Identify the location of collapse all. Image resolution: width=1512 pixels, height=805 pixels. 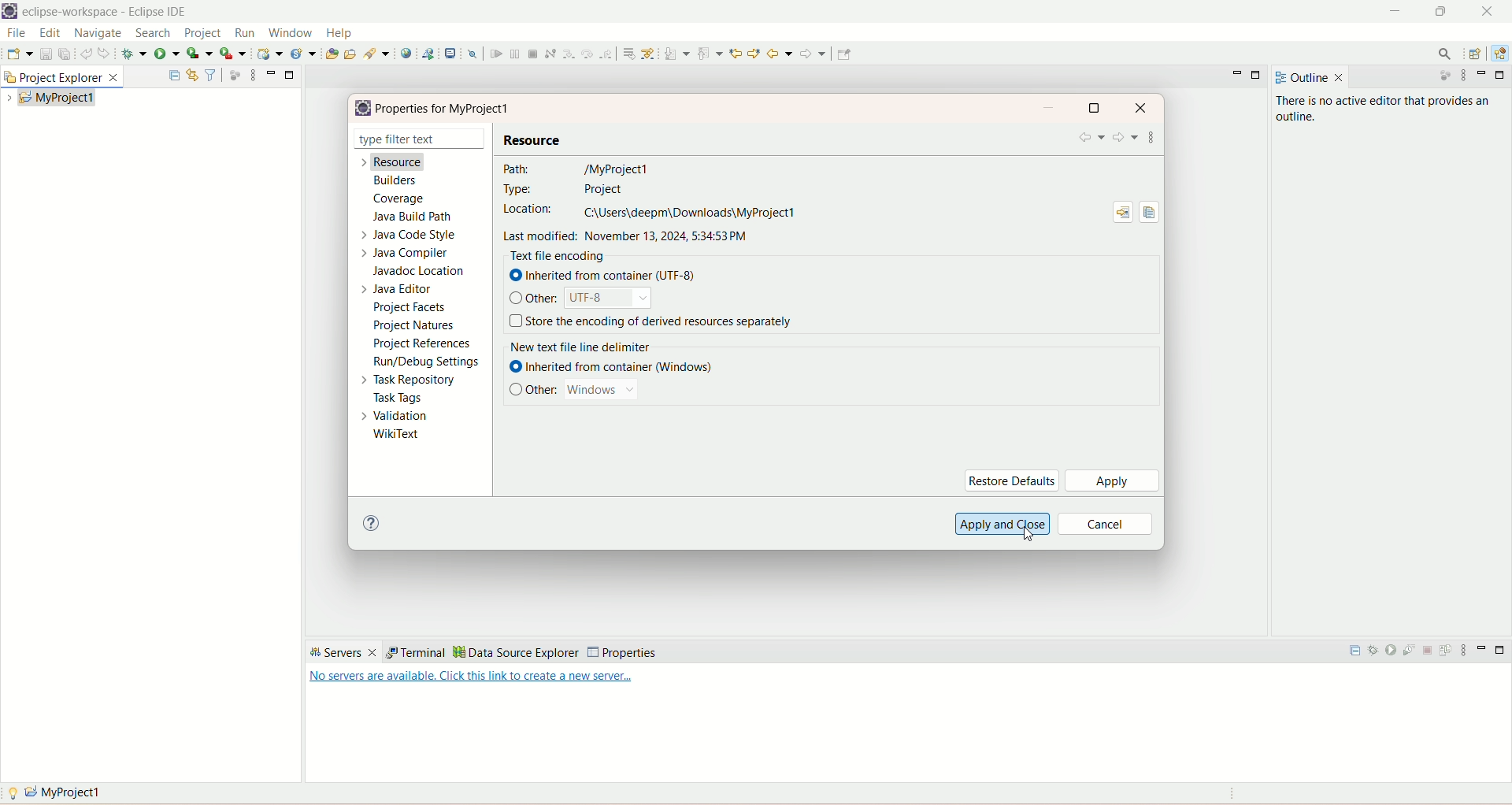
(174, 72).